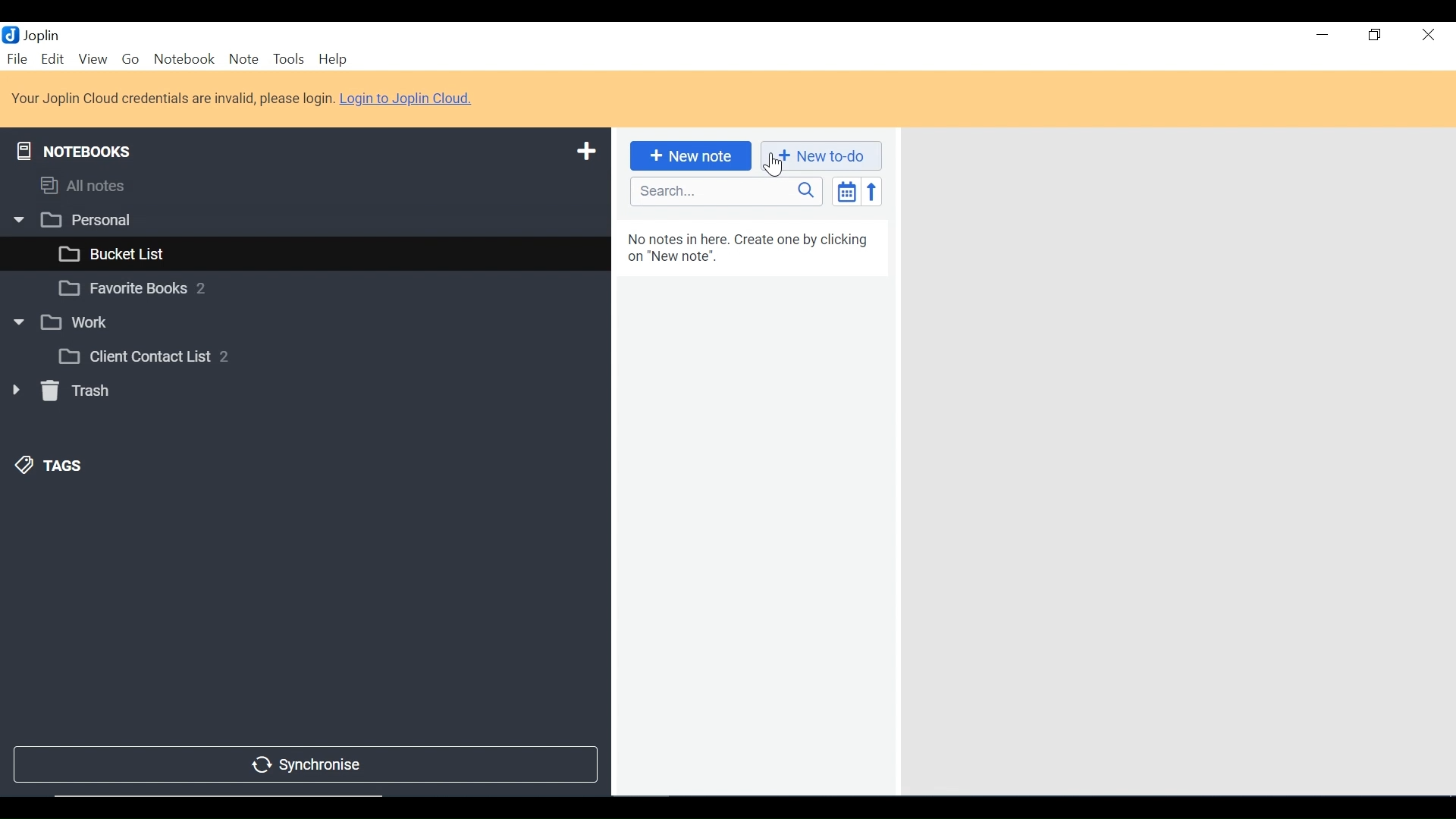 Image resolution: width=1456 pixels, height=819 pixels. What do you see at coordinates (727, 191) in the screenshot?
I see `SEARCH` at bounding box center [727, 191].